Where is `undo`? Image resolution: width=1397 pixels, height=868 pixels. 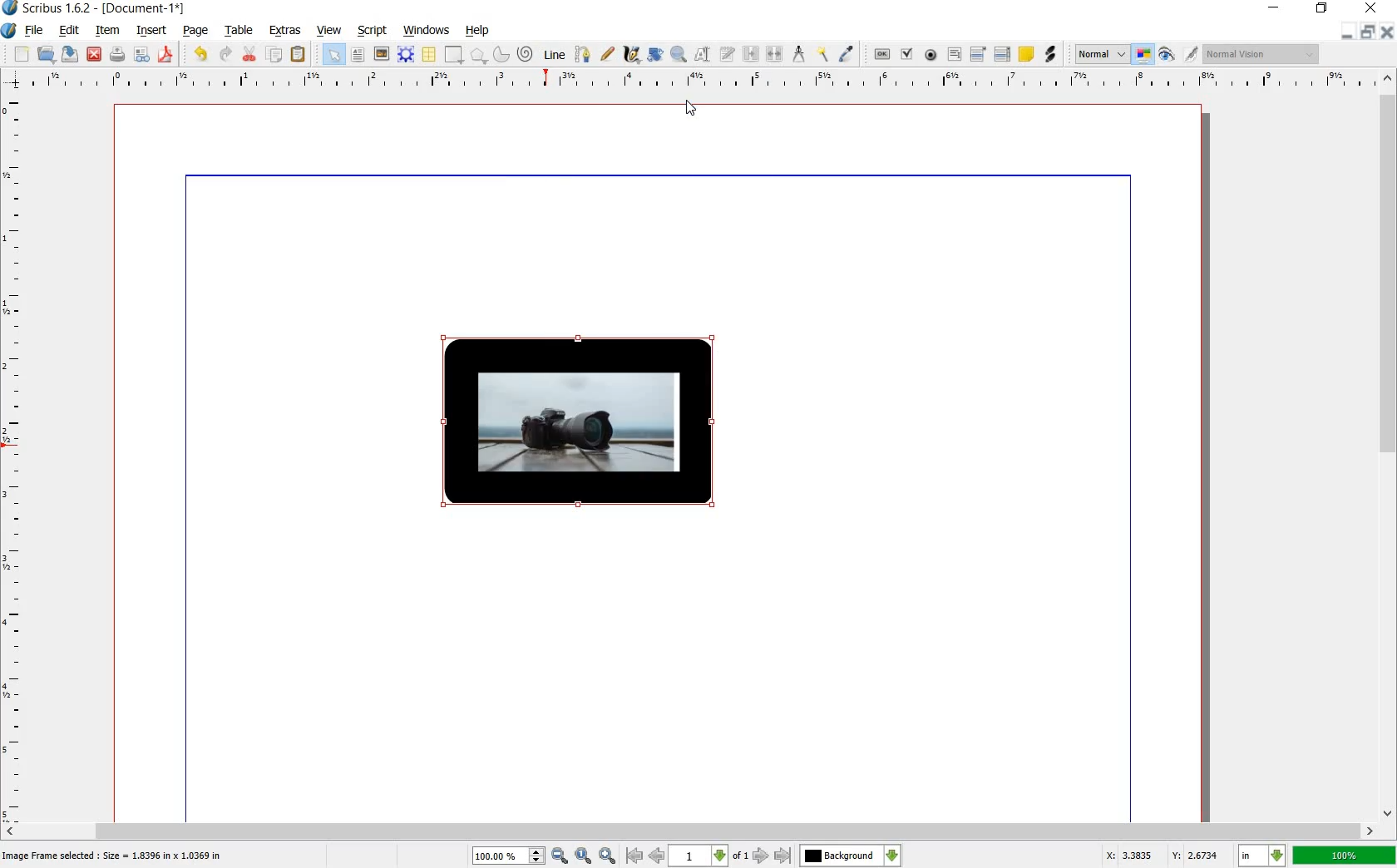 undo is located at coordinates (201, 53).